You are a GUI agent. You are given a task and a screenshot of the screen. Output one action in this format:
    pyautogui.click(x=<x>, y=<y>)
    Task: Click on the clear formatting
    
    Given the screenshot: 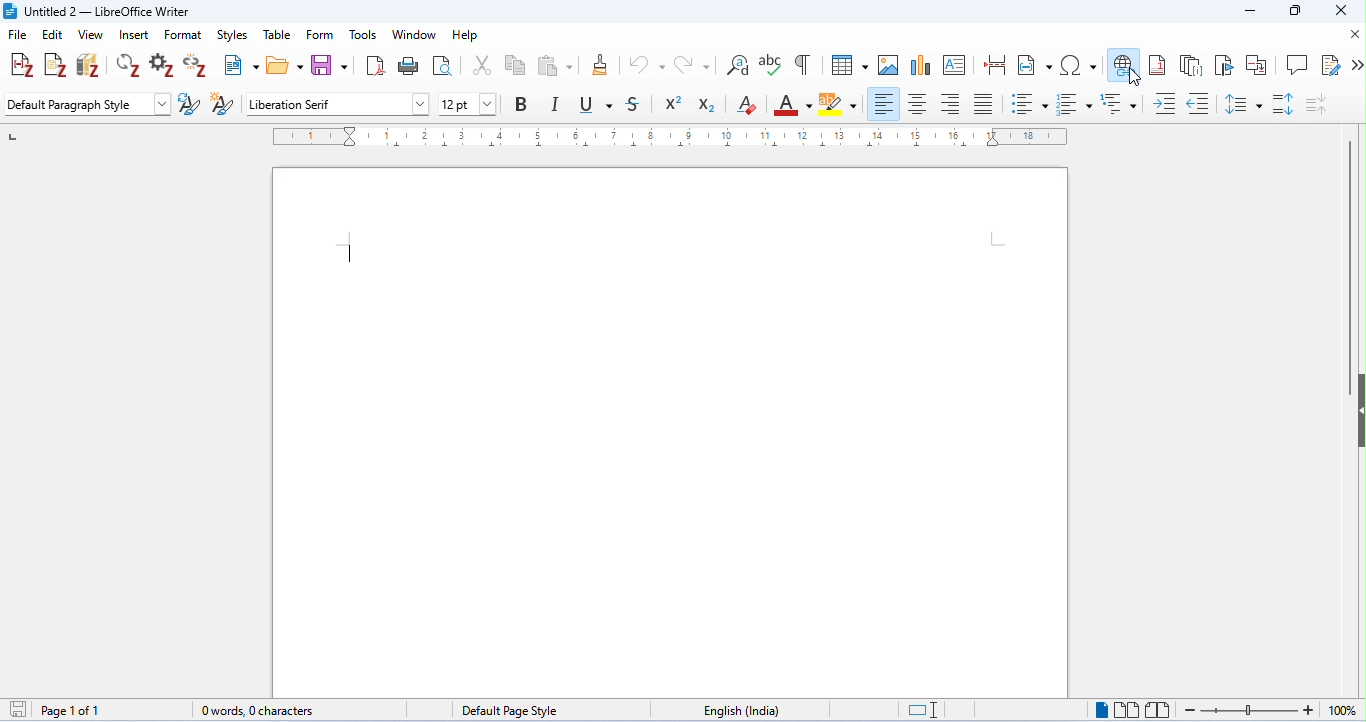 What is the action you would take?
    pyautogui.click(x=748, y=105)
    